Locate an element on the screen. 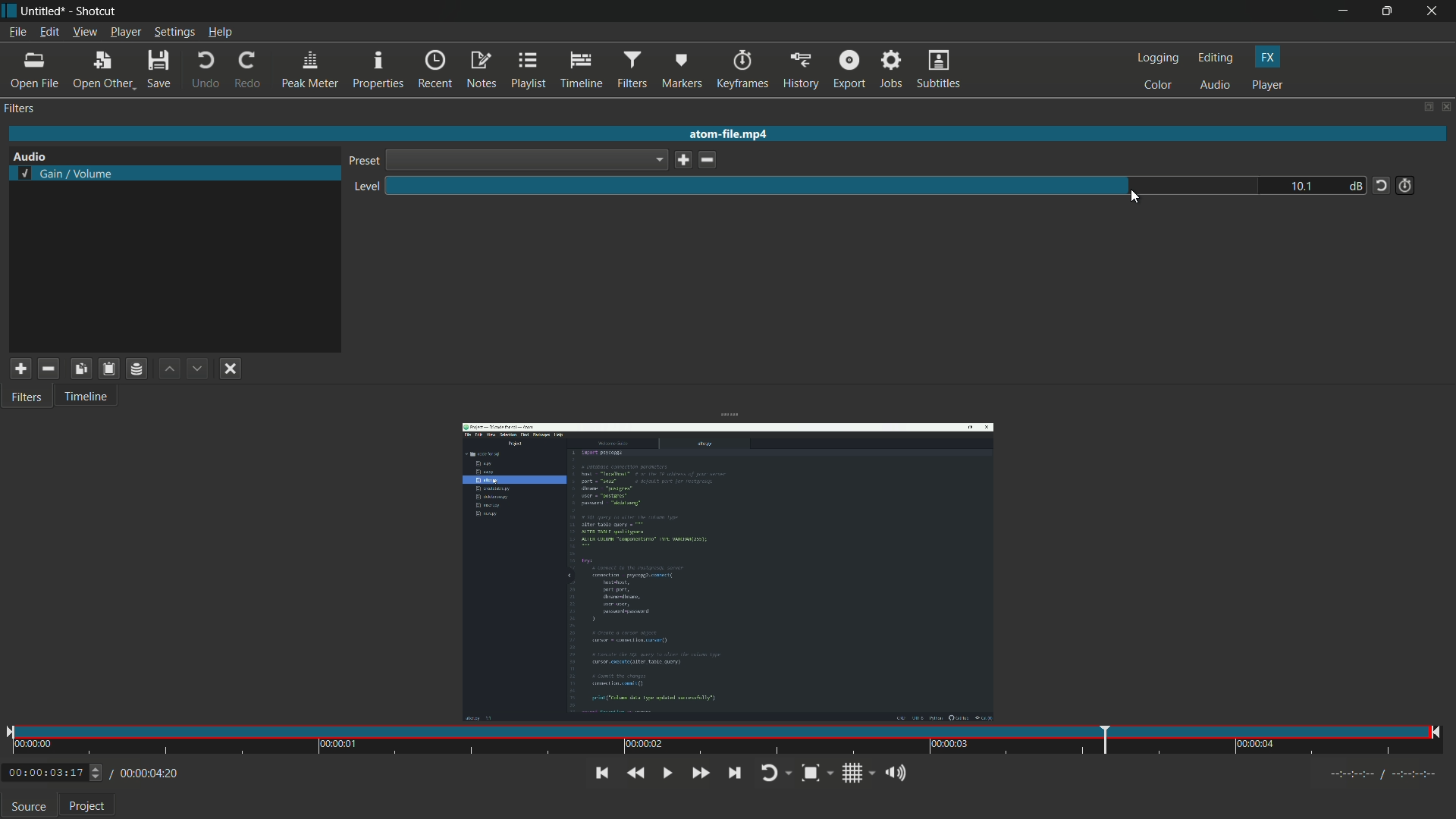  save is located at coordinates (681, 161).